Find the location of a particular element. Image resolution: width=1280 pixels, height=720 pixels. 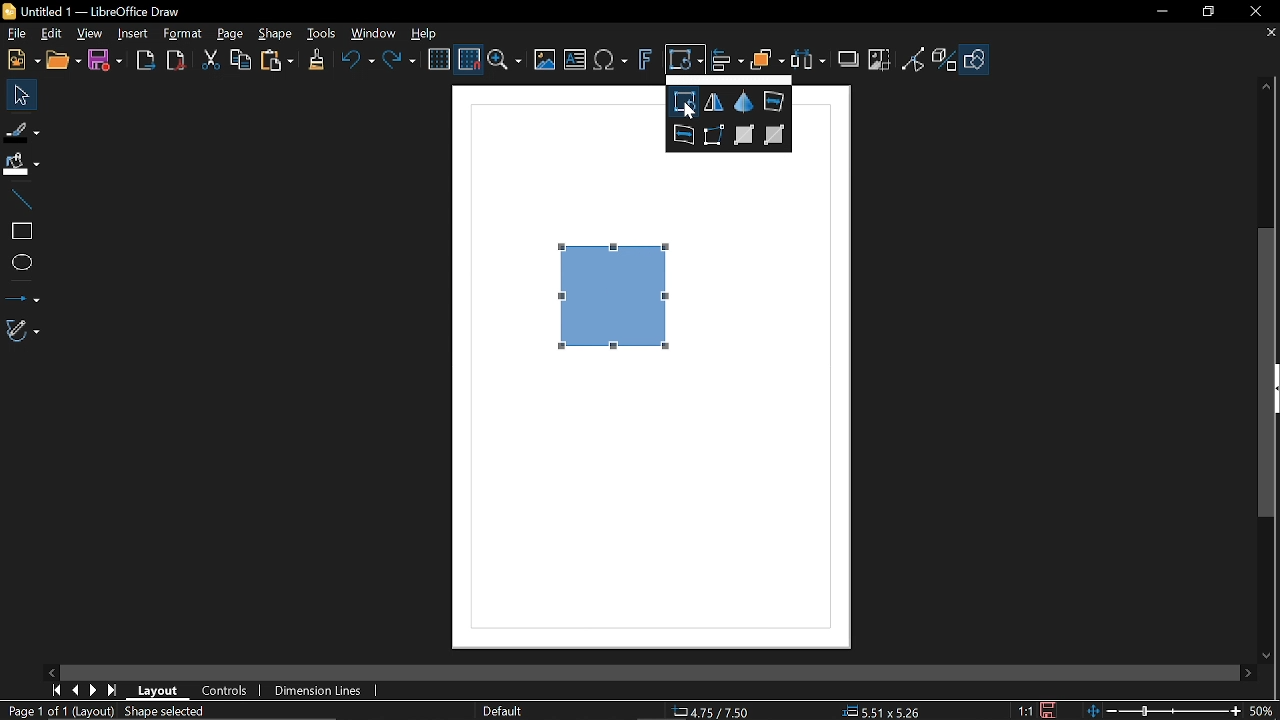

Vertical scrollbar is located at coordinates (1270, 375).